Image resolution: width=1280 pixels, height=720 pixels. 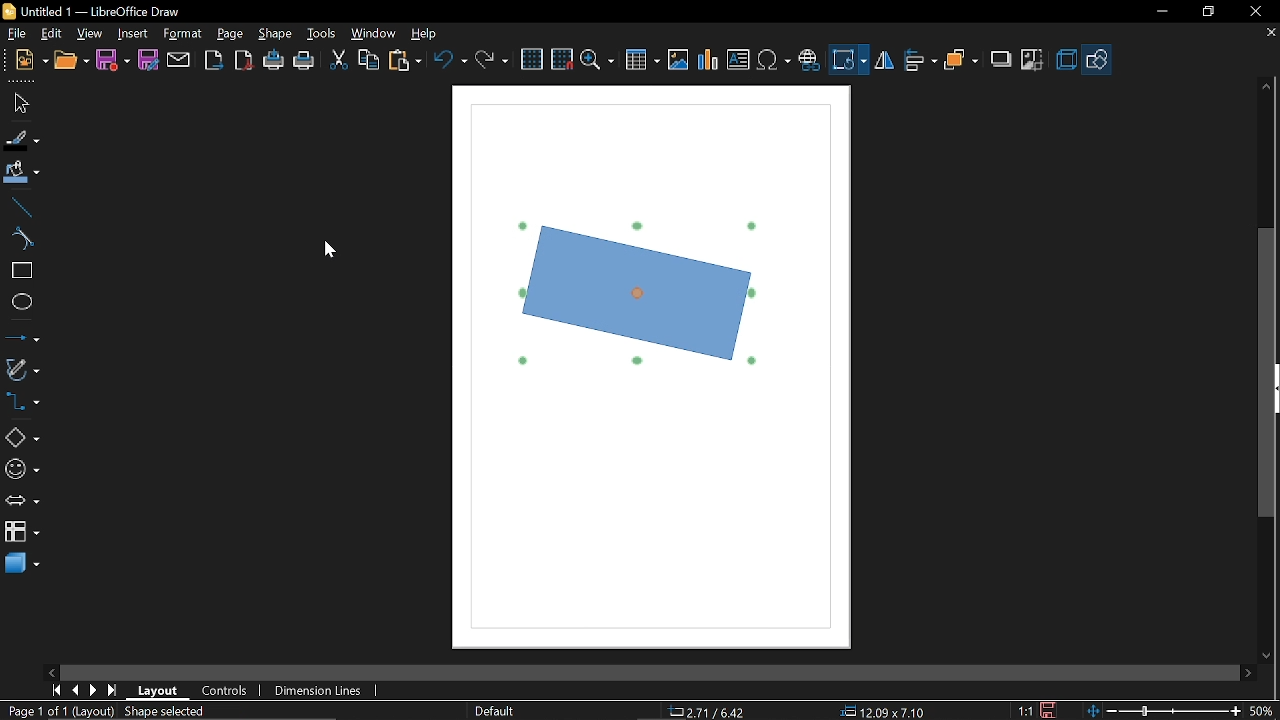 What do you see at coordinates (918, 61) in the screenshot?
I see `allign` at bounding box center [918, 61].